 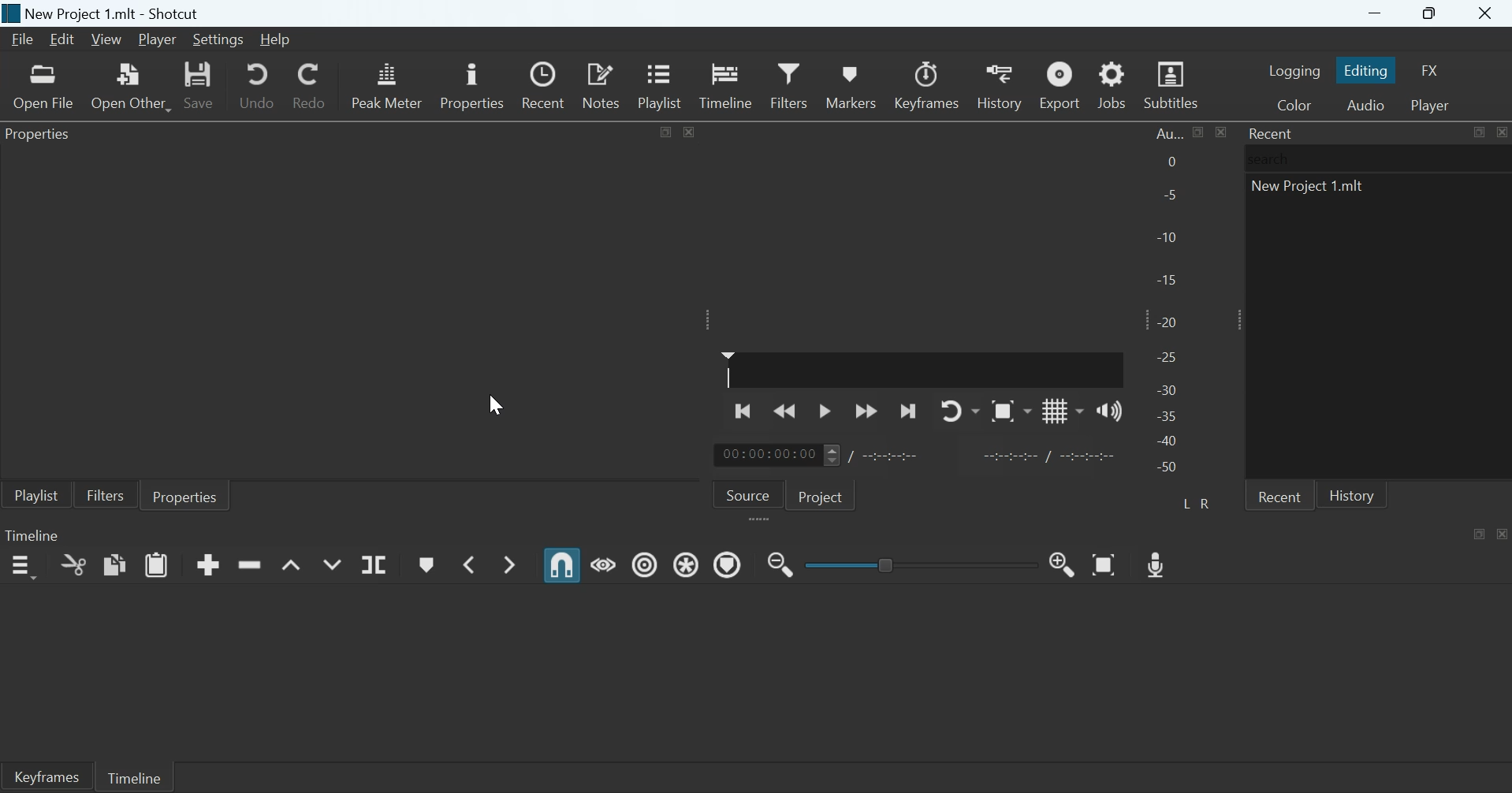 What do you see at coordinates (709, 319) in the screenshot?
I see `Expand` at bounding box center [709, 319].